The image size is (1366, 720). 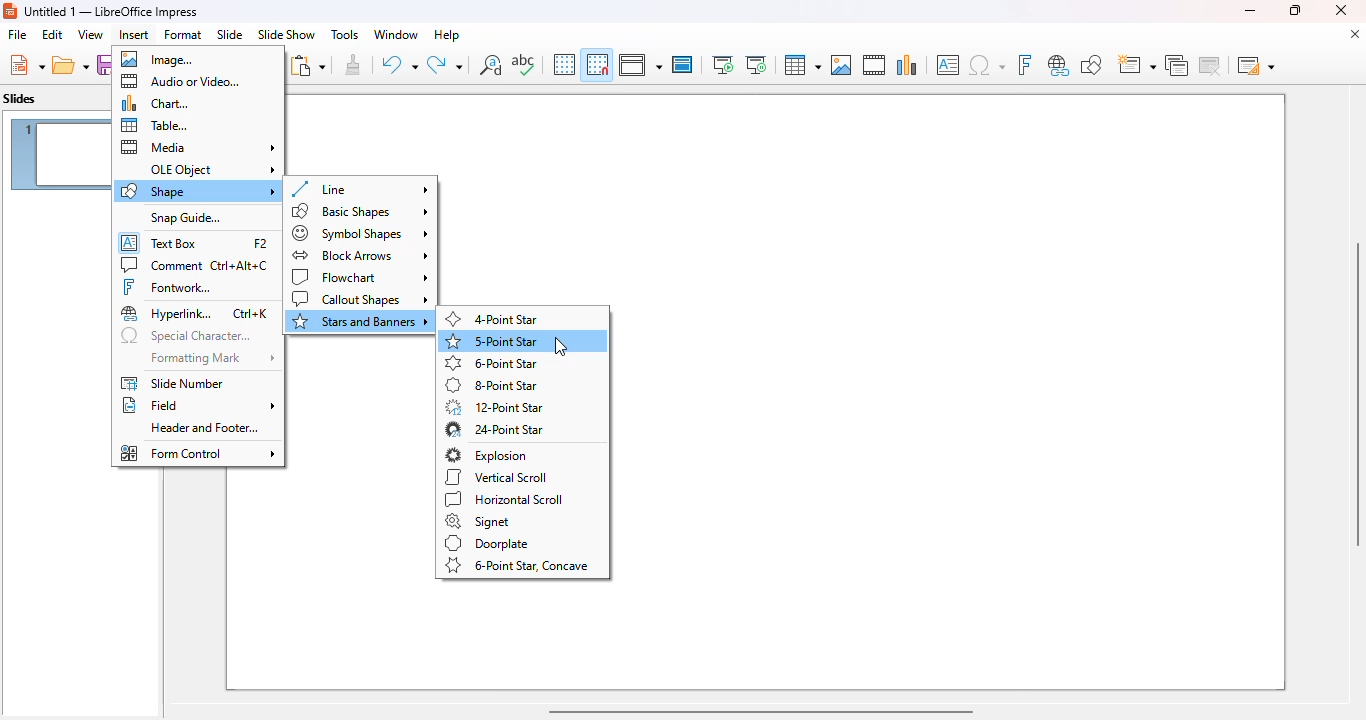 What do you see at coordinates (1177, 65) in the screenshot?
I see `duplicate slide` at bounding box center [1177, 65].